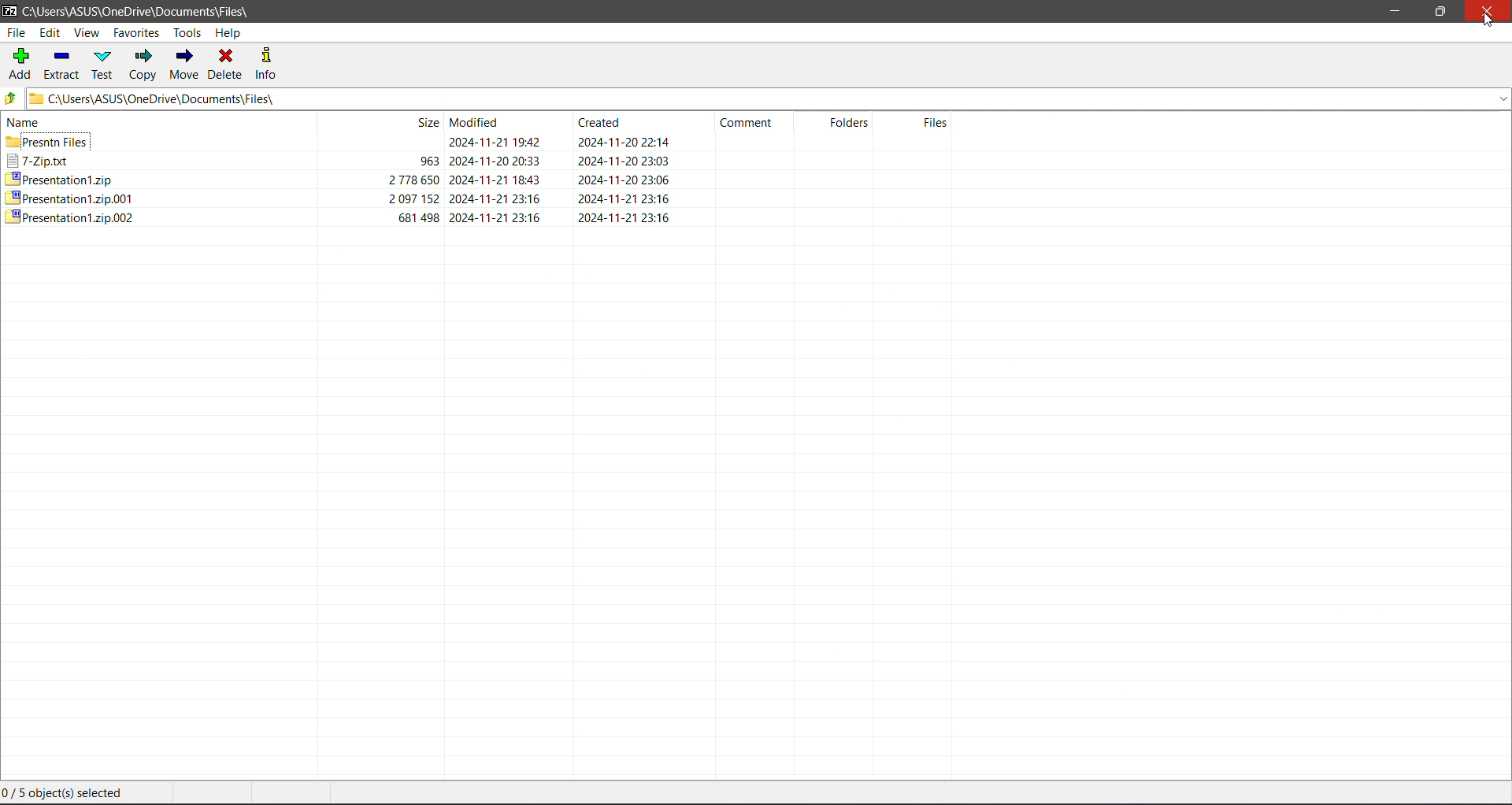 The height and width of the screenshot is (805, 1512). What do you see at coordinates (136, 33) in the screenshot?
I see `Favorites` at bounding box center [136, 33].